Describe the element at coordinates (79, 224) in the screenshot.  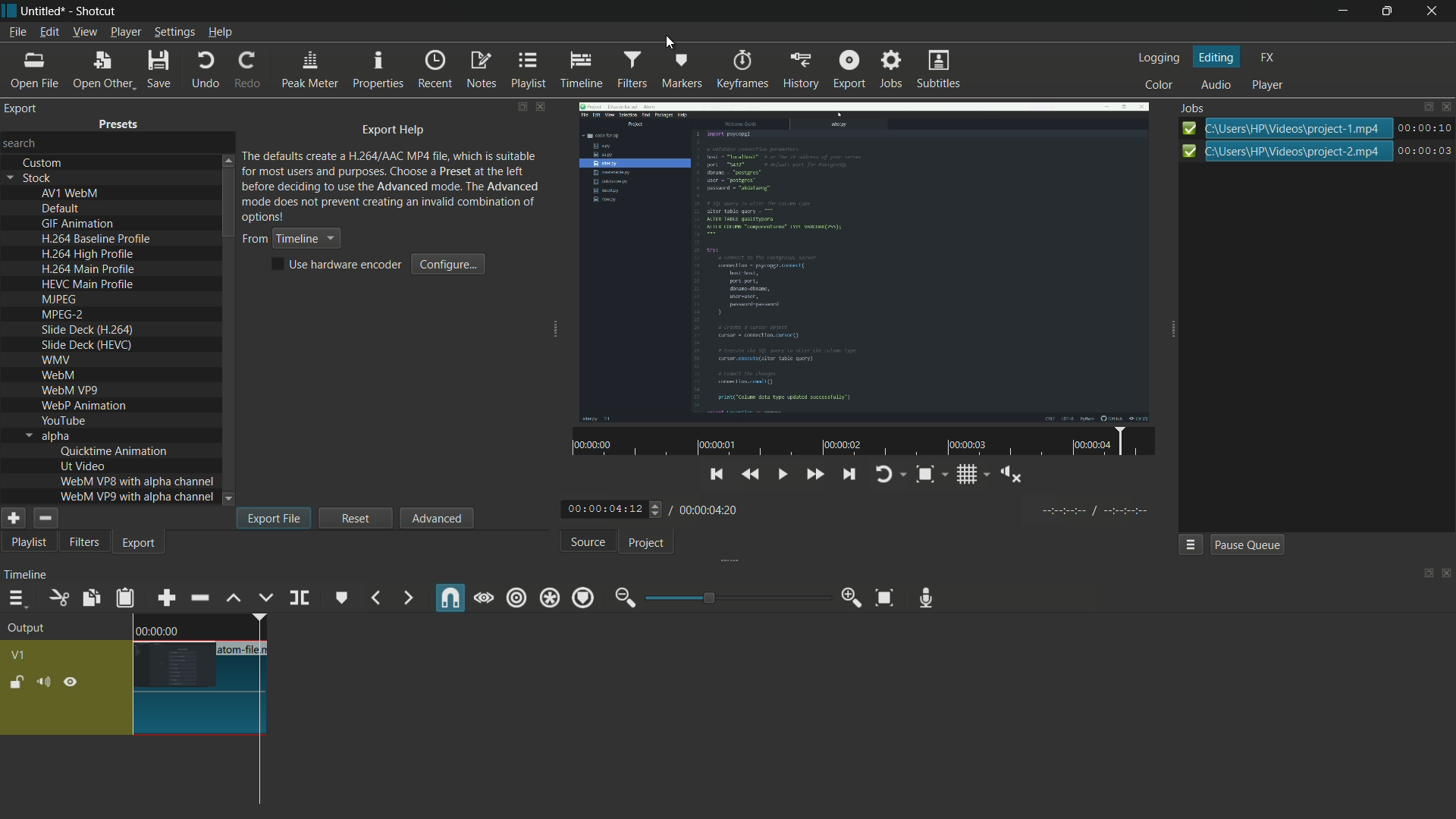
I see `gif animation` at that location.